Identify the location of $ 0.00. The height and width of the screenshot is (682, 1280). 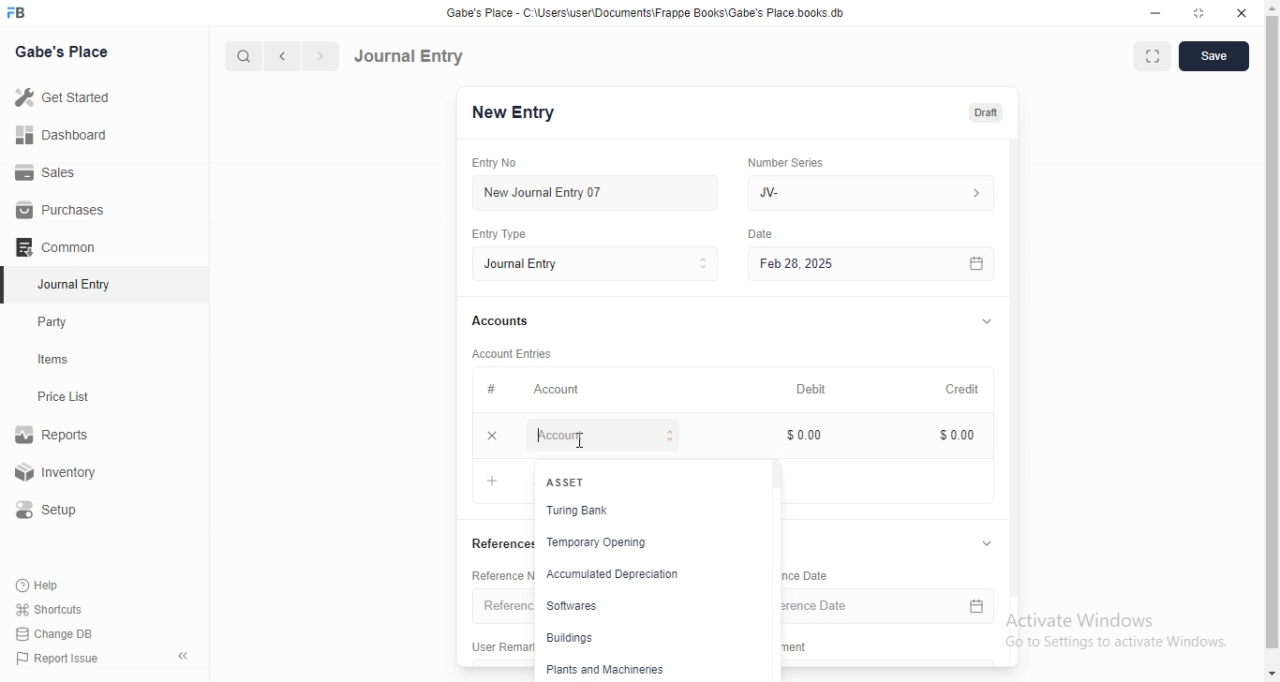
(960, 436).